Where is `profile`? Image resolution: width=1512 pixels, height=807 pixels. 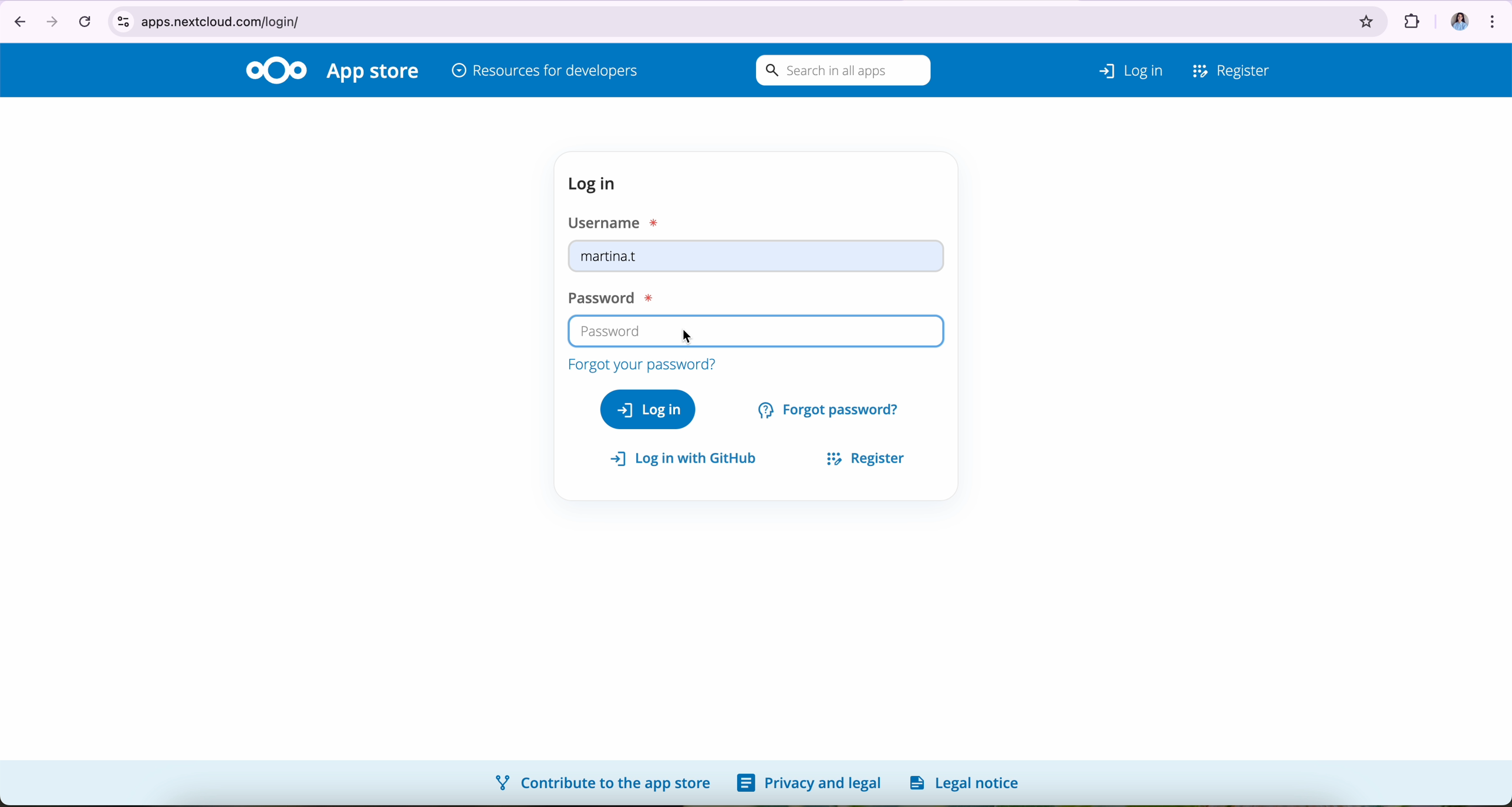 profile is located at coordinates (1454, 17).